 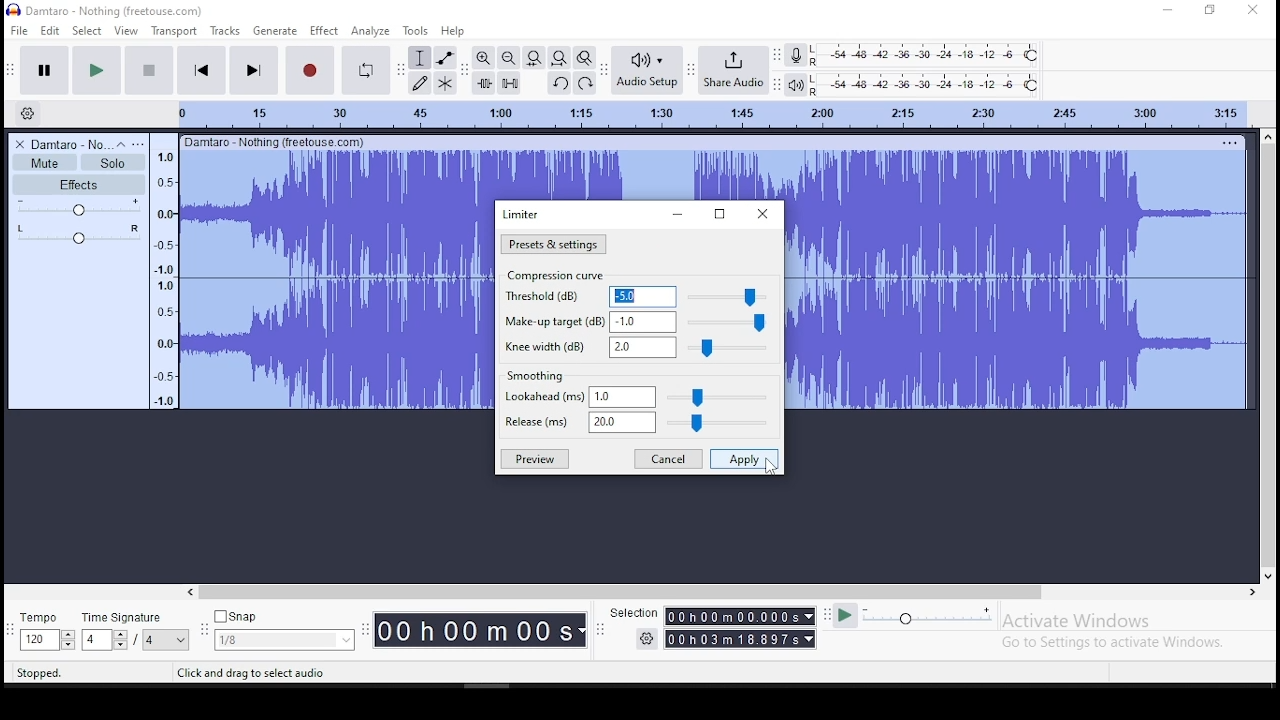 I want to click on share audio, so click(x=734, y=68).